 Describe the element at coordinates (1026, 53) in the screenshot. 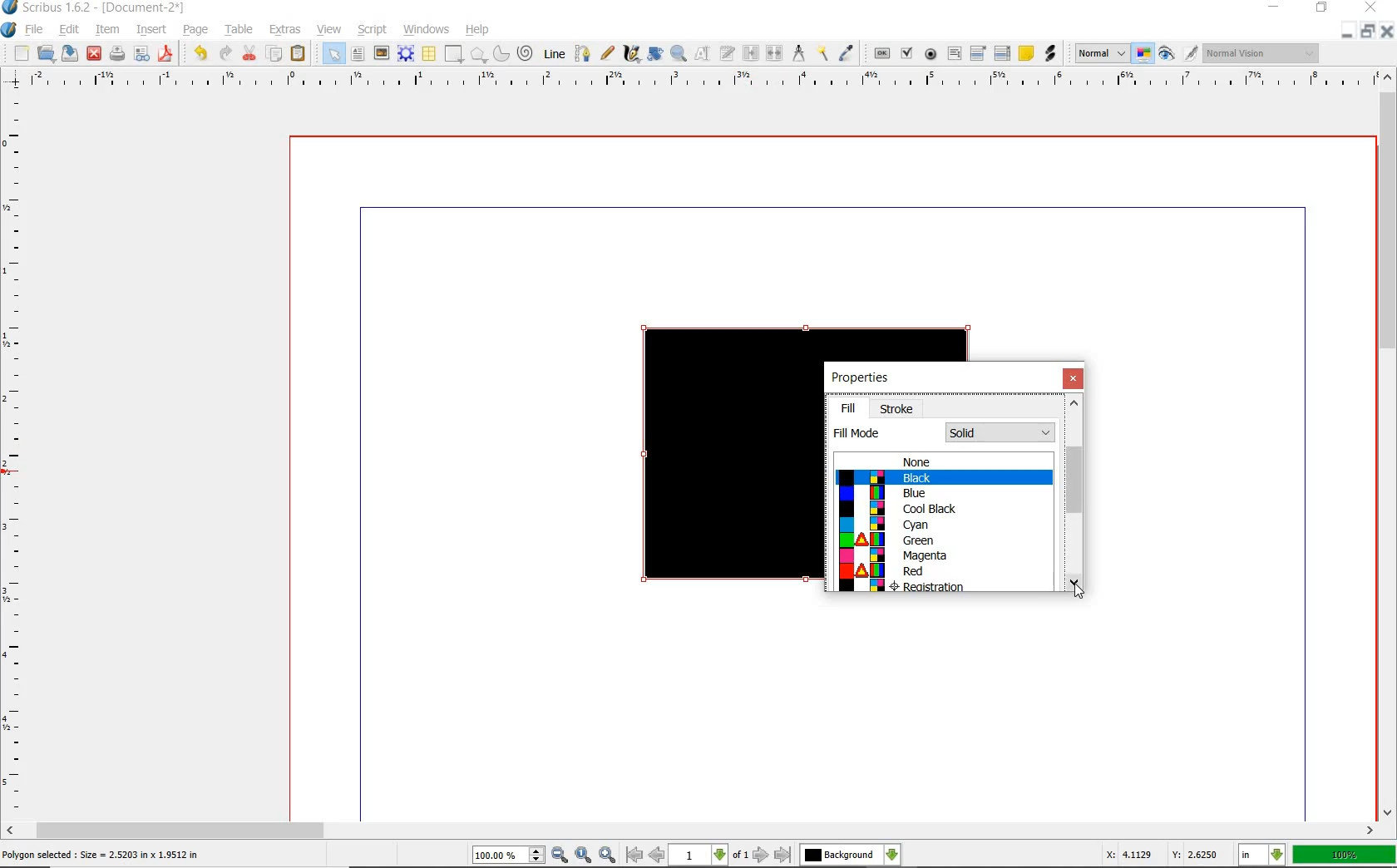

I see `text annotation` at that location.